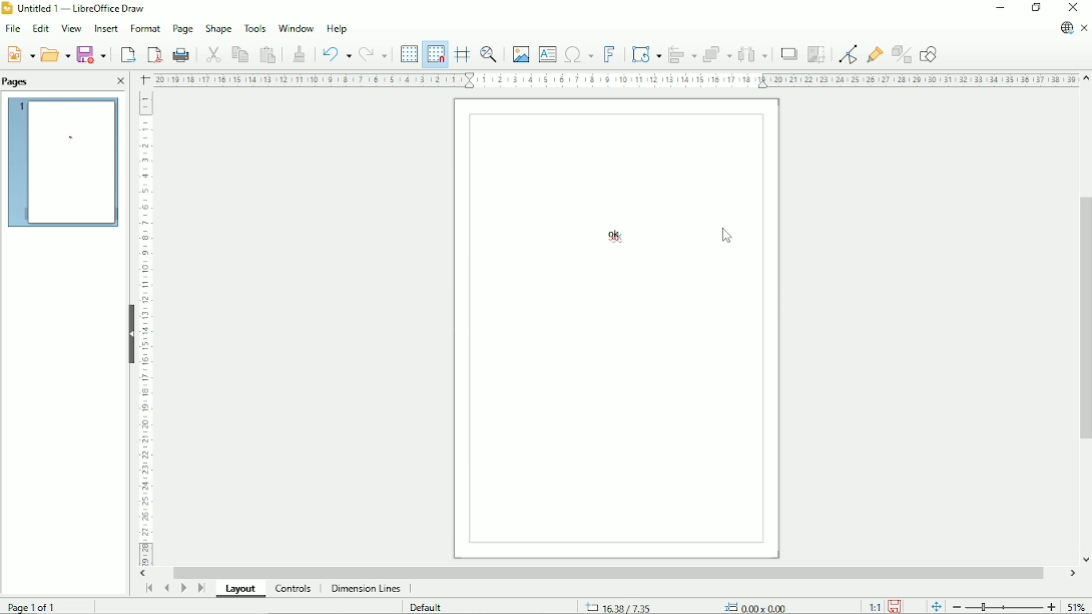 The image size is (1092, 614). What do you see at coordinates (182, 55) in the screenshot?
I see `Print` at bounding box center [182, 55].